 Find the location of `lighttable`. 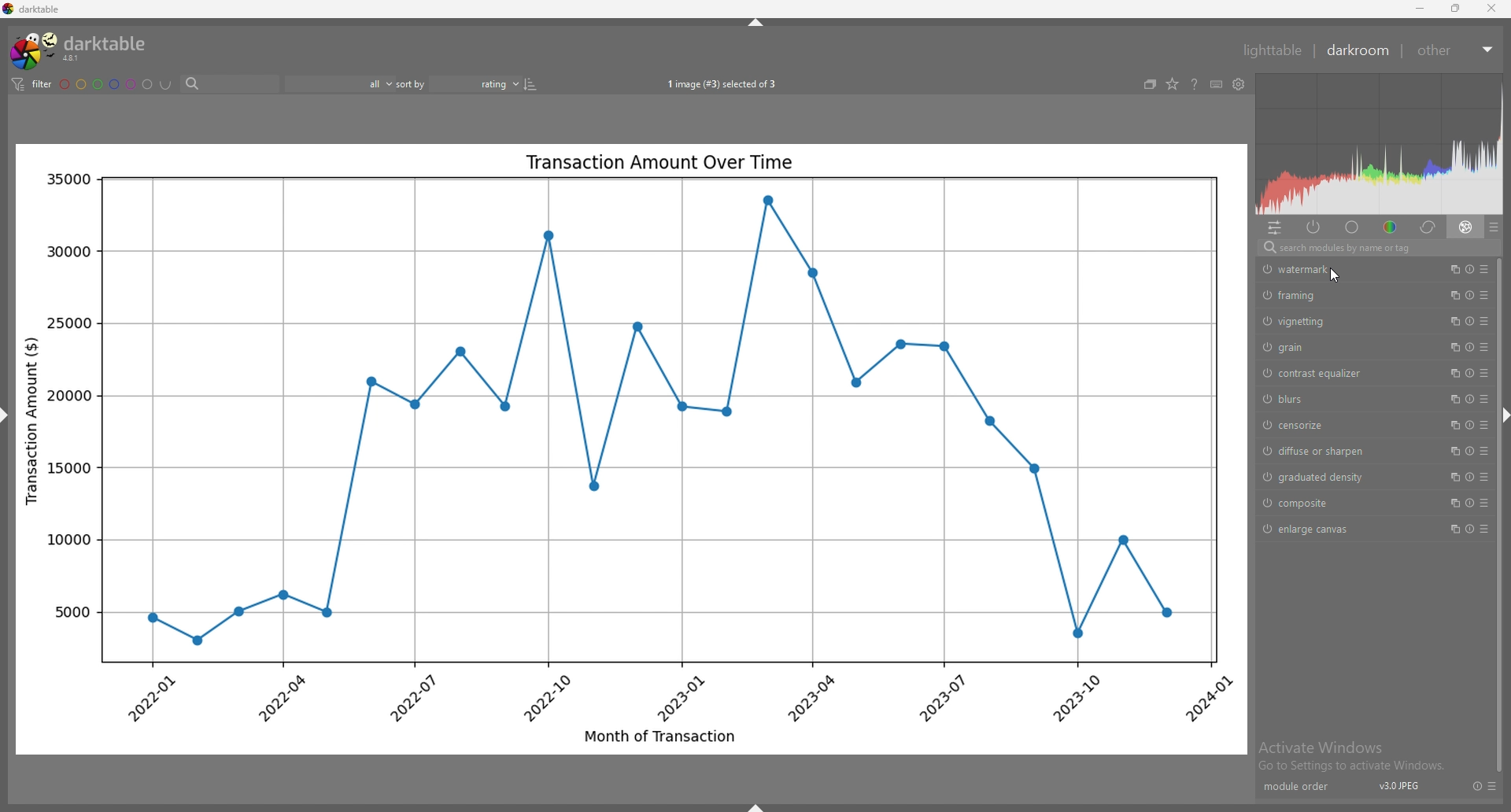

lighttable is located at coordinates (1270, 49).